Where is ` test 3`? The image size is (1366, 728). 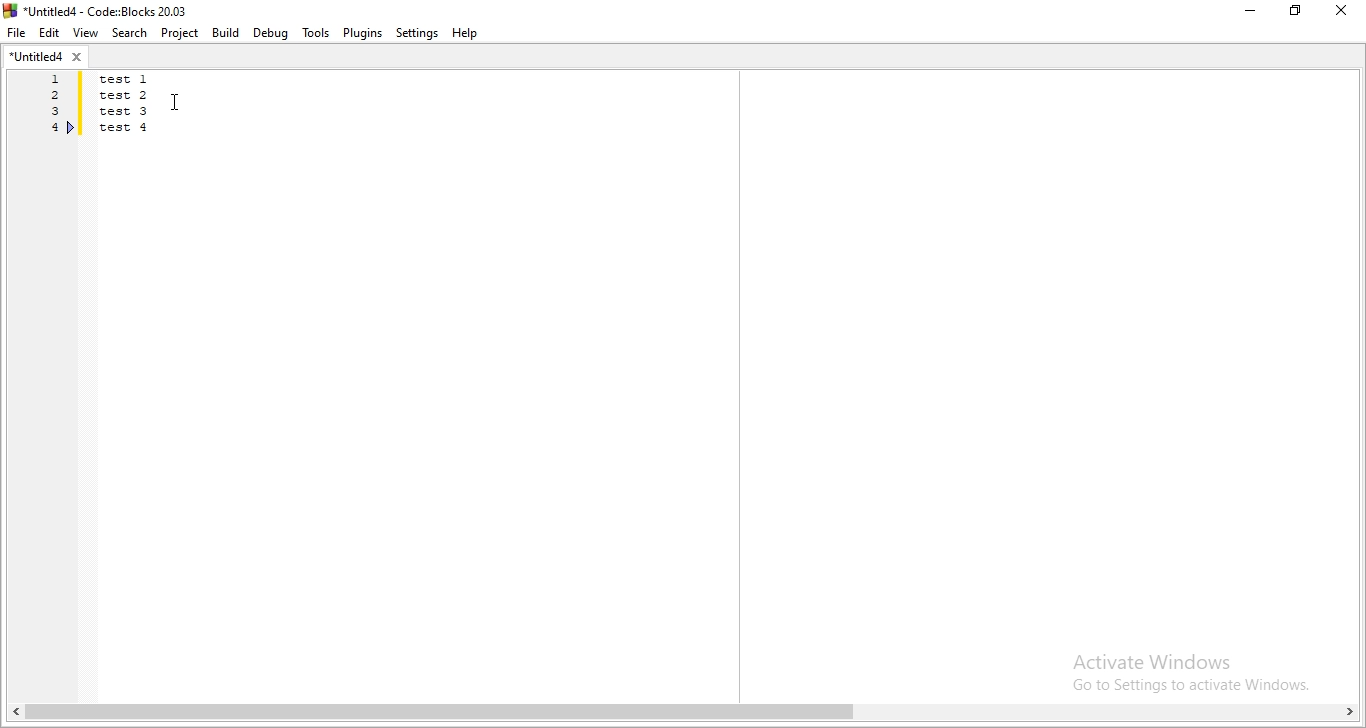
 test 3 is located at coordinates (127, 113).